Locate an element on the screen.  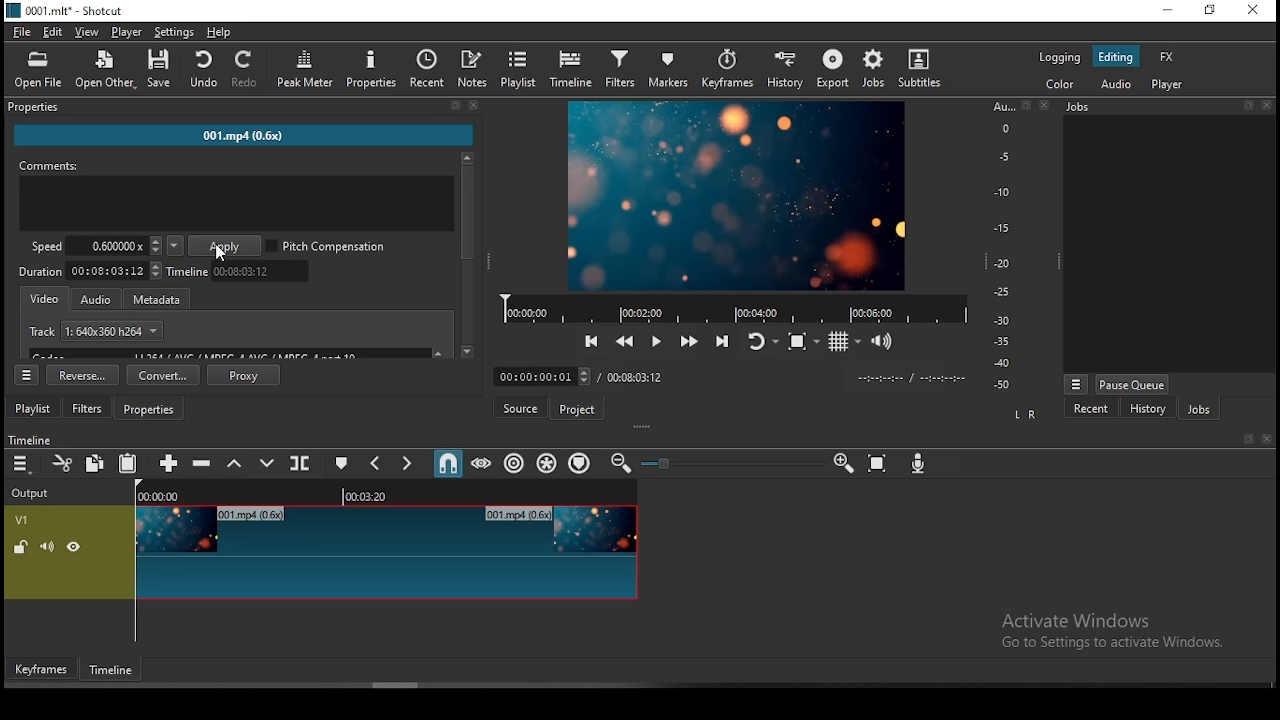
video duration is located at coordinates (87, 271).